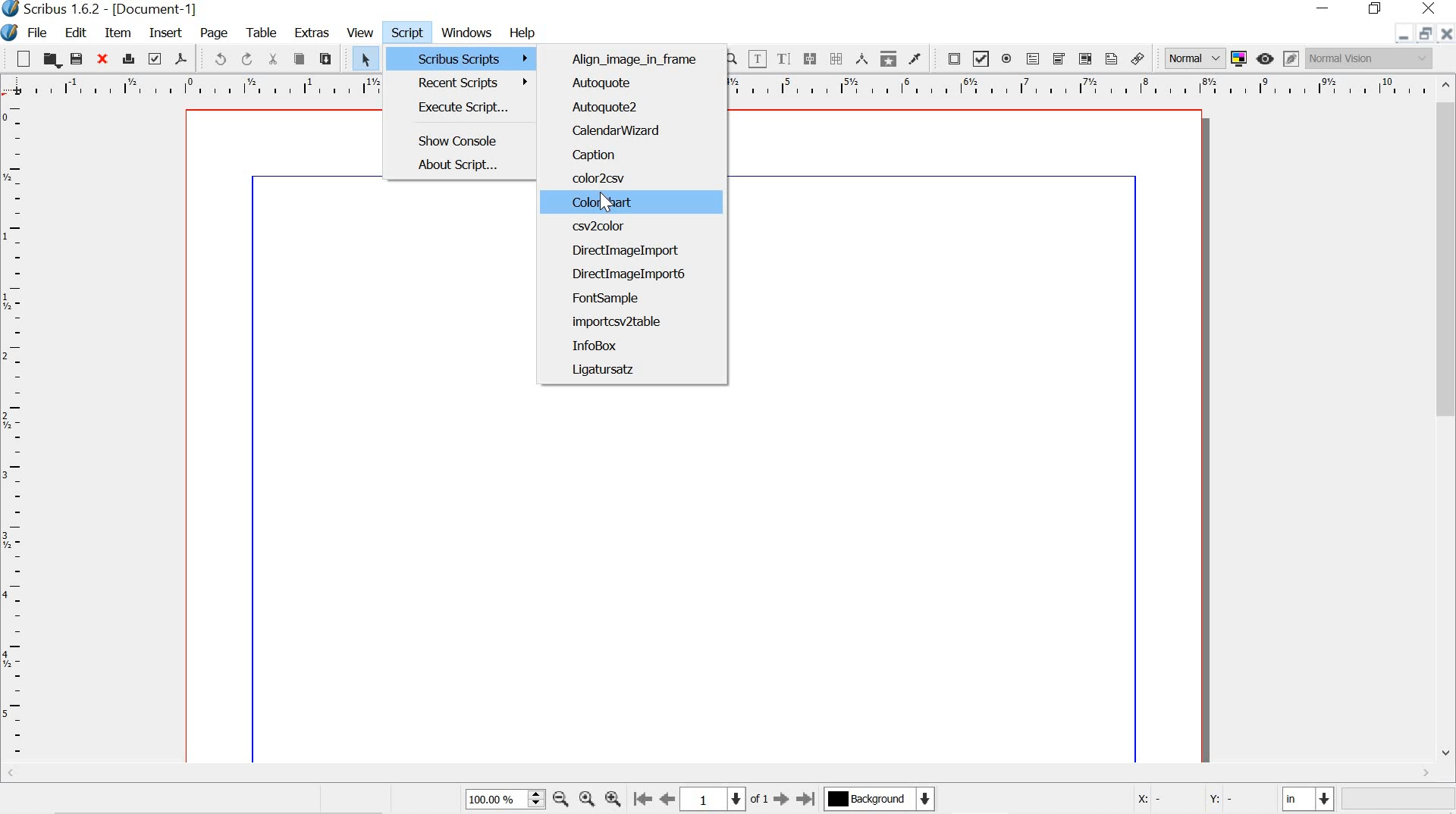 The width and height of the screenshot is (1456, 814). Describe the element at coordinates (14, 433) in the screenshot. I see `ruler` at that location.